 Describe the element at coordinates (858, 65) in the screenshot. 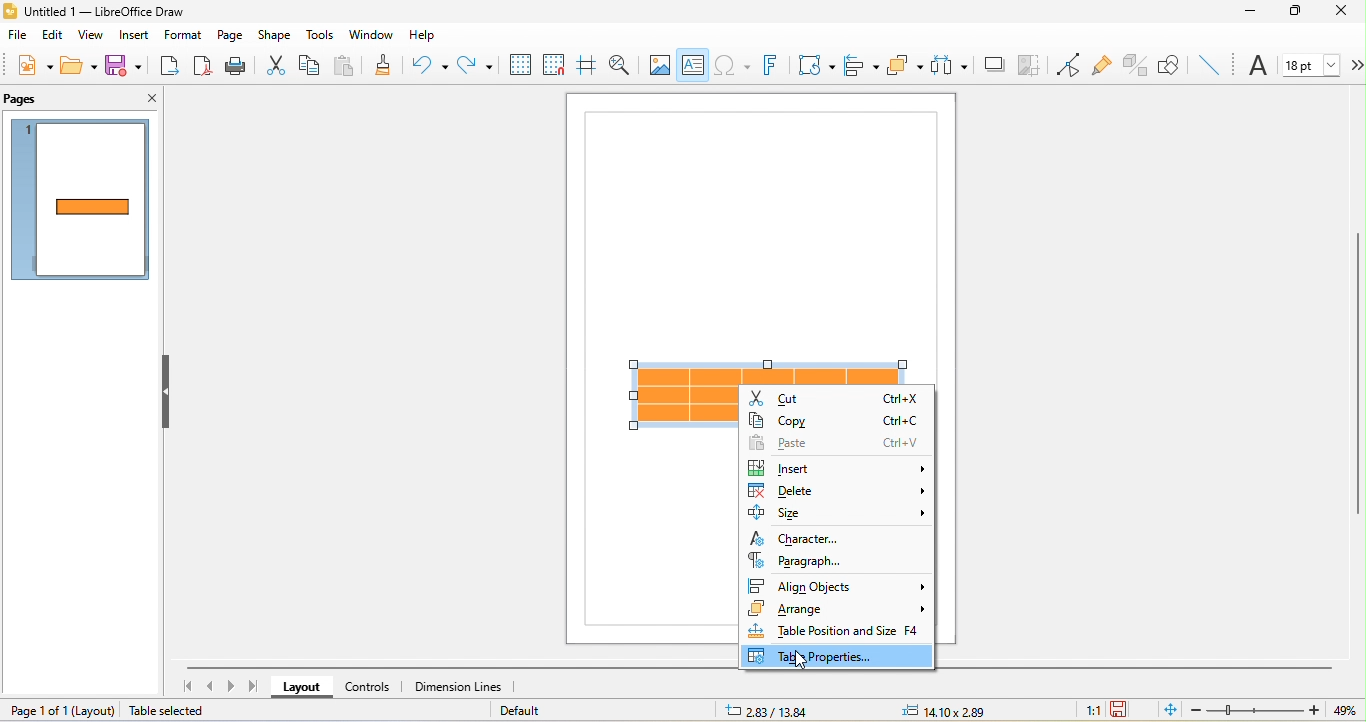

I see `align object` at that location.